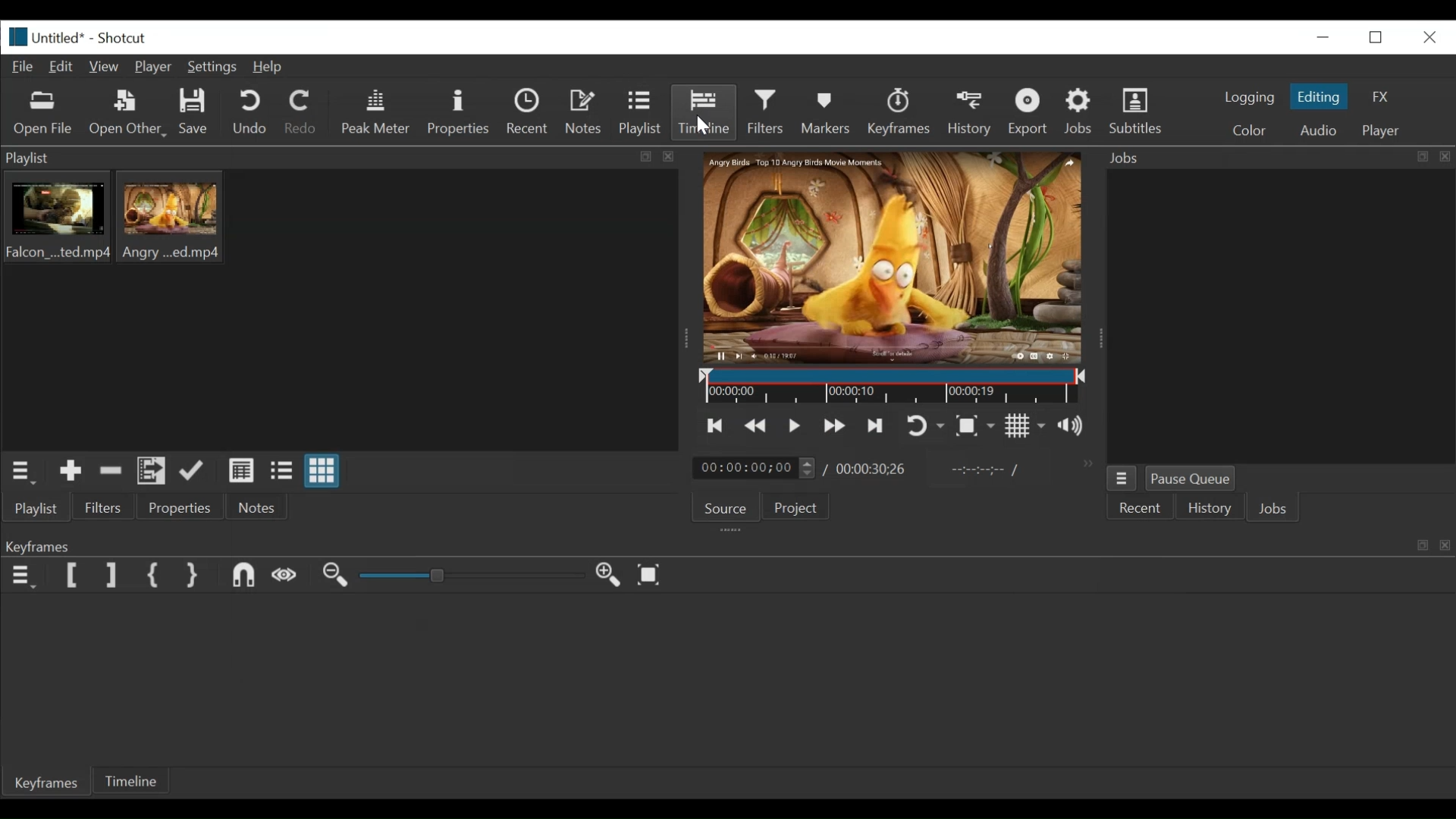  What do you see at coordinates (1081, 111) in the screenshot?
I see `Jobs` at bounding box center [1081, 111].